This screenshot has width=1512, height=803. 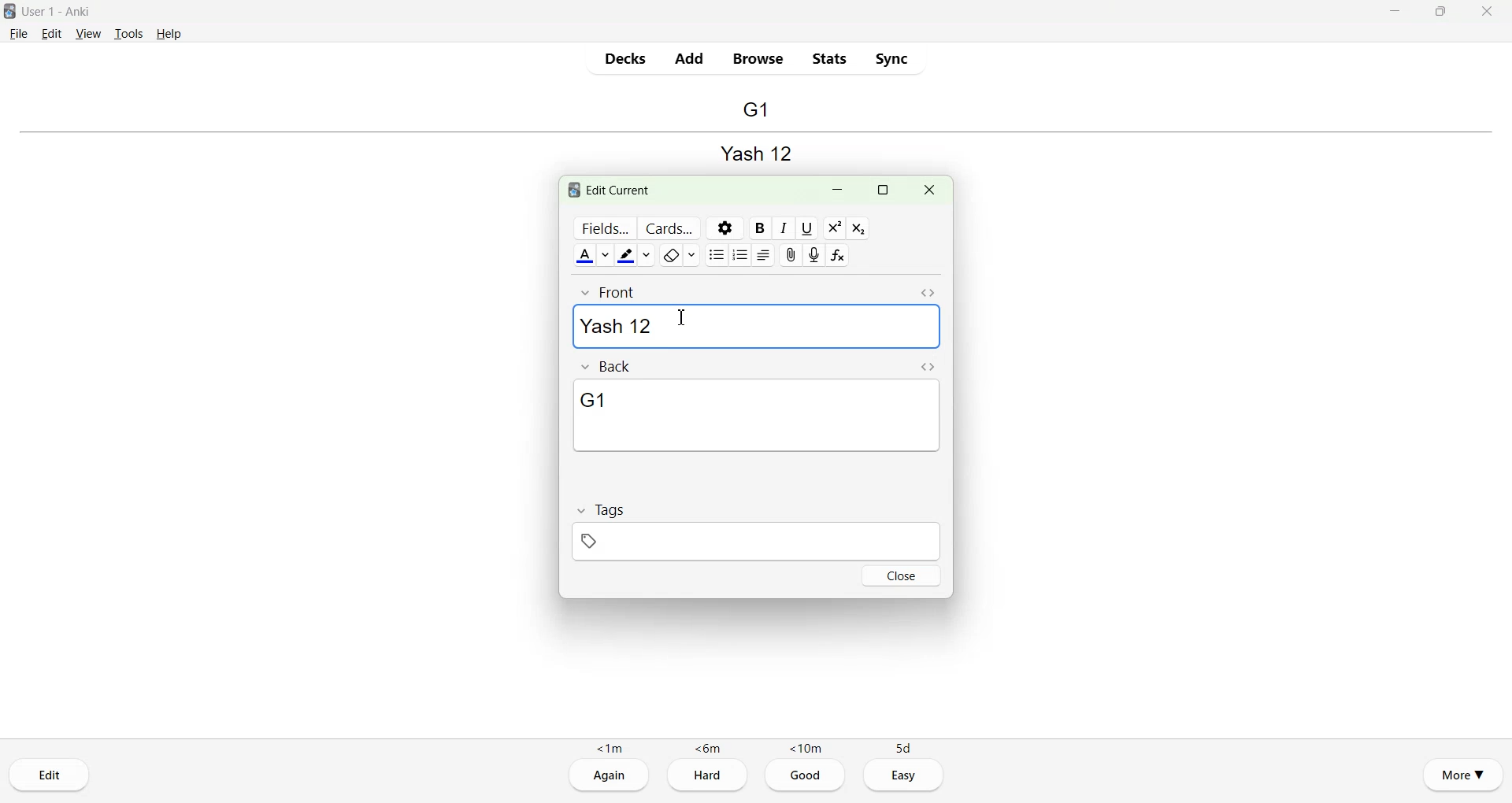 What do you see at coordinates (928, 191) in the screenshot?
I see `Close` at bounding box center [928, 191].